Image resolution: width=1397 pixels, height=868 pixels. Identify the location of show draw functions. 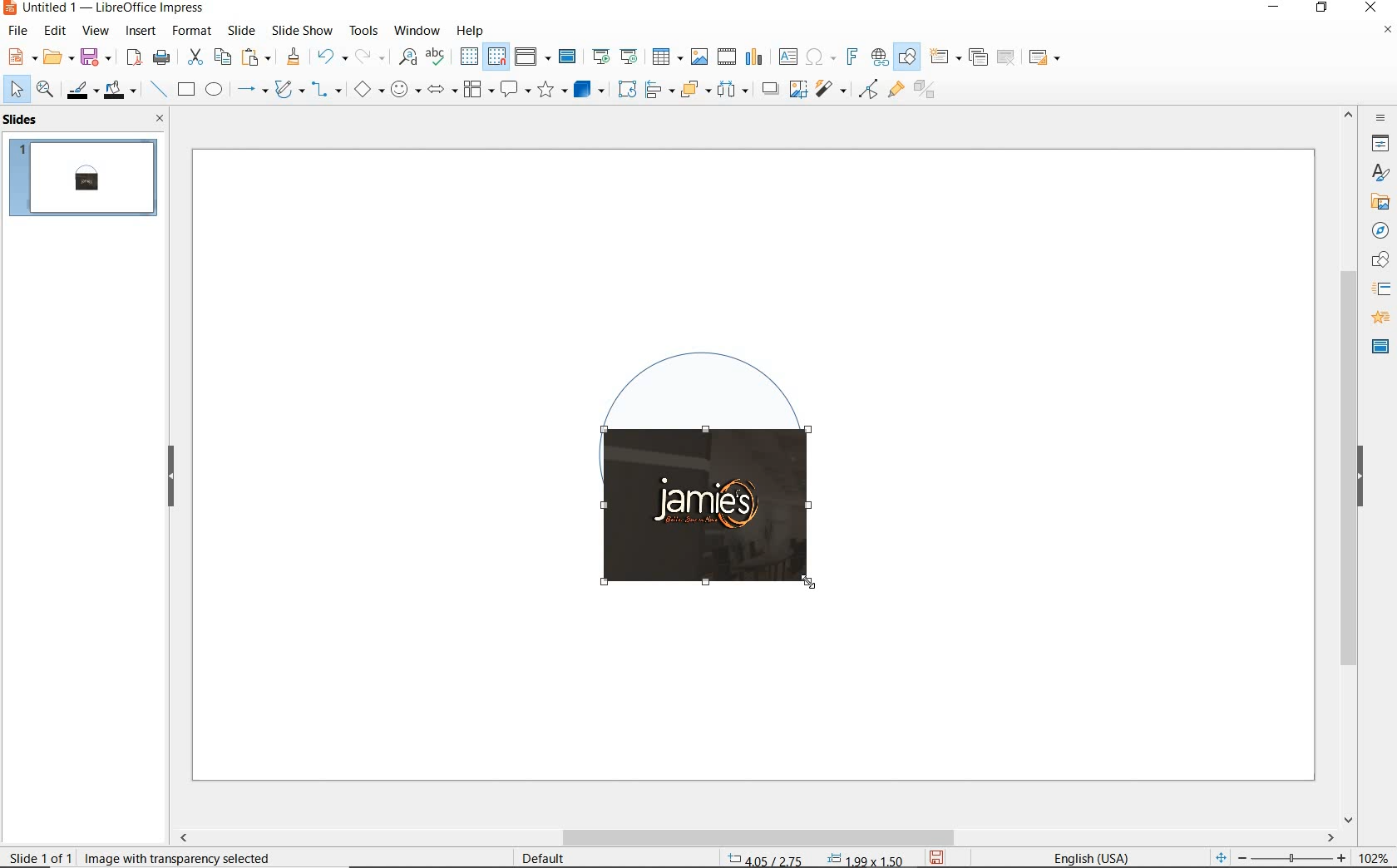
(907, 57).